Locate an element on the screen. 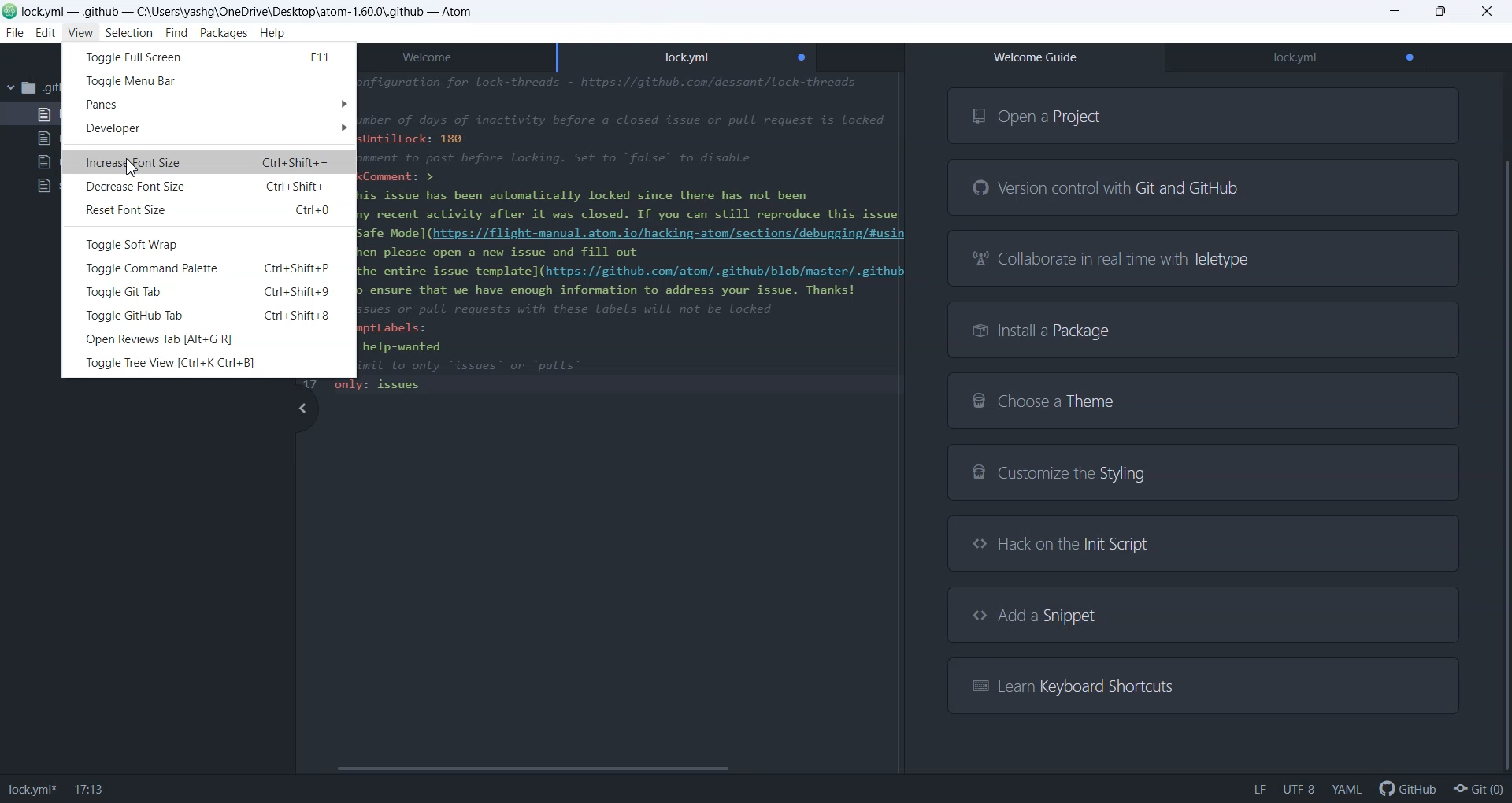 This screenshot has width=1512, height=803. File is located at coordinates (14, 33).